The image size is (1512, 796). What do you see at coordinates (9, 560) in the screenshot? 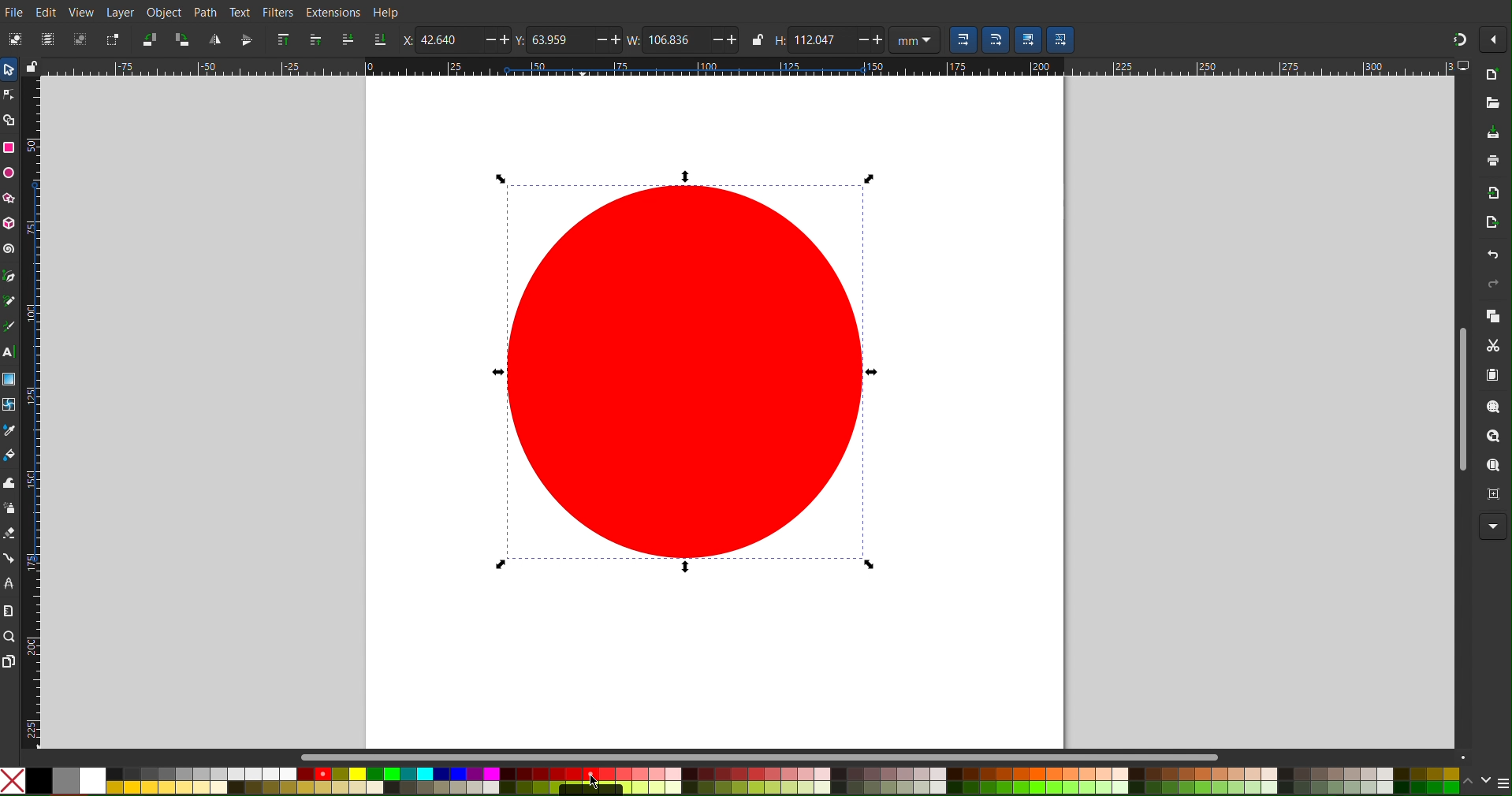
I see `Connection` at bounding box center [9, 560].